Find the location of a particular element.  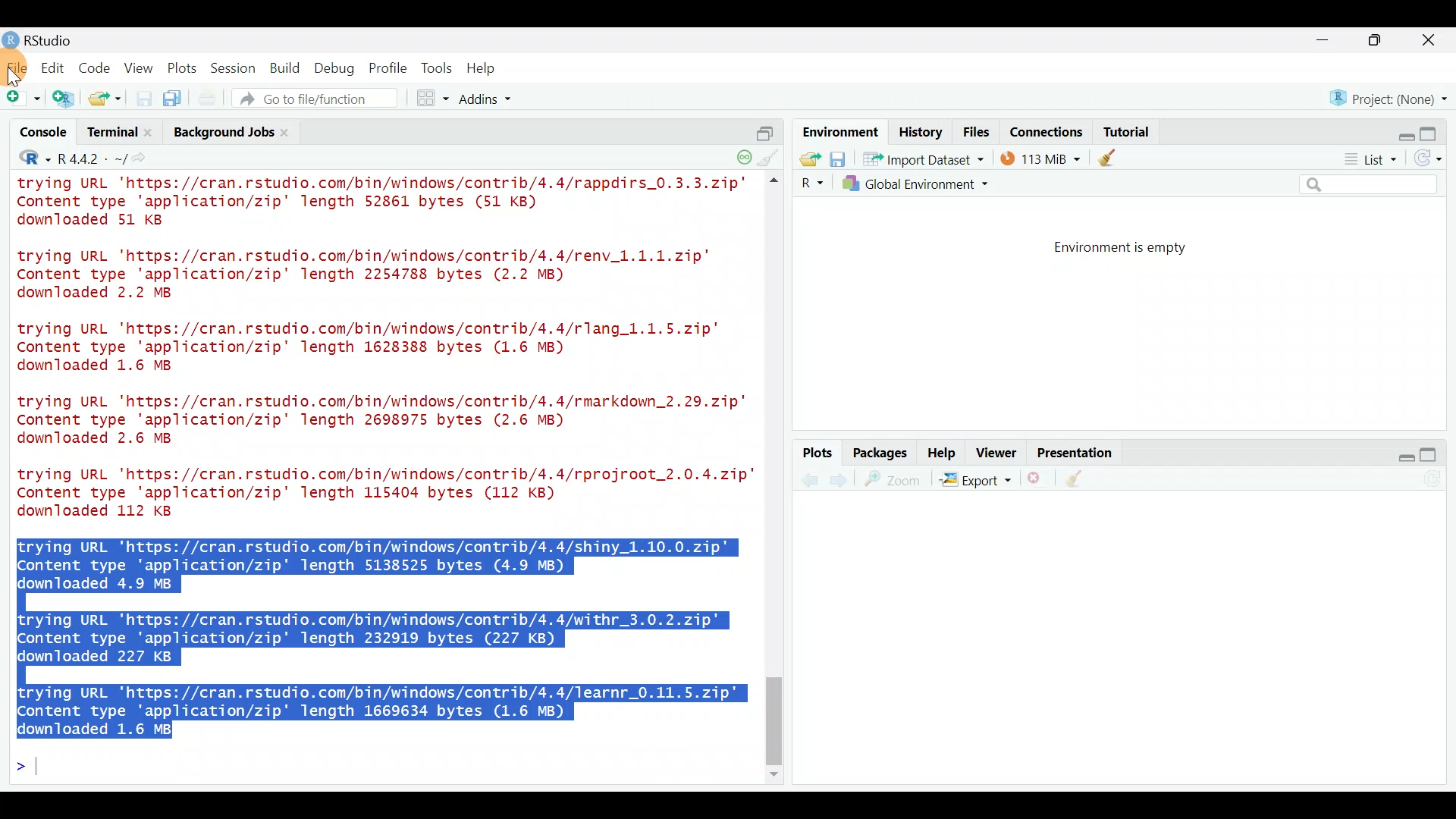

Search bar is located at coordinates (1371, 185).